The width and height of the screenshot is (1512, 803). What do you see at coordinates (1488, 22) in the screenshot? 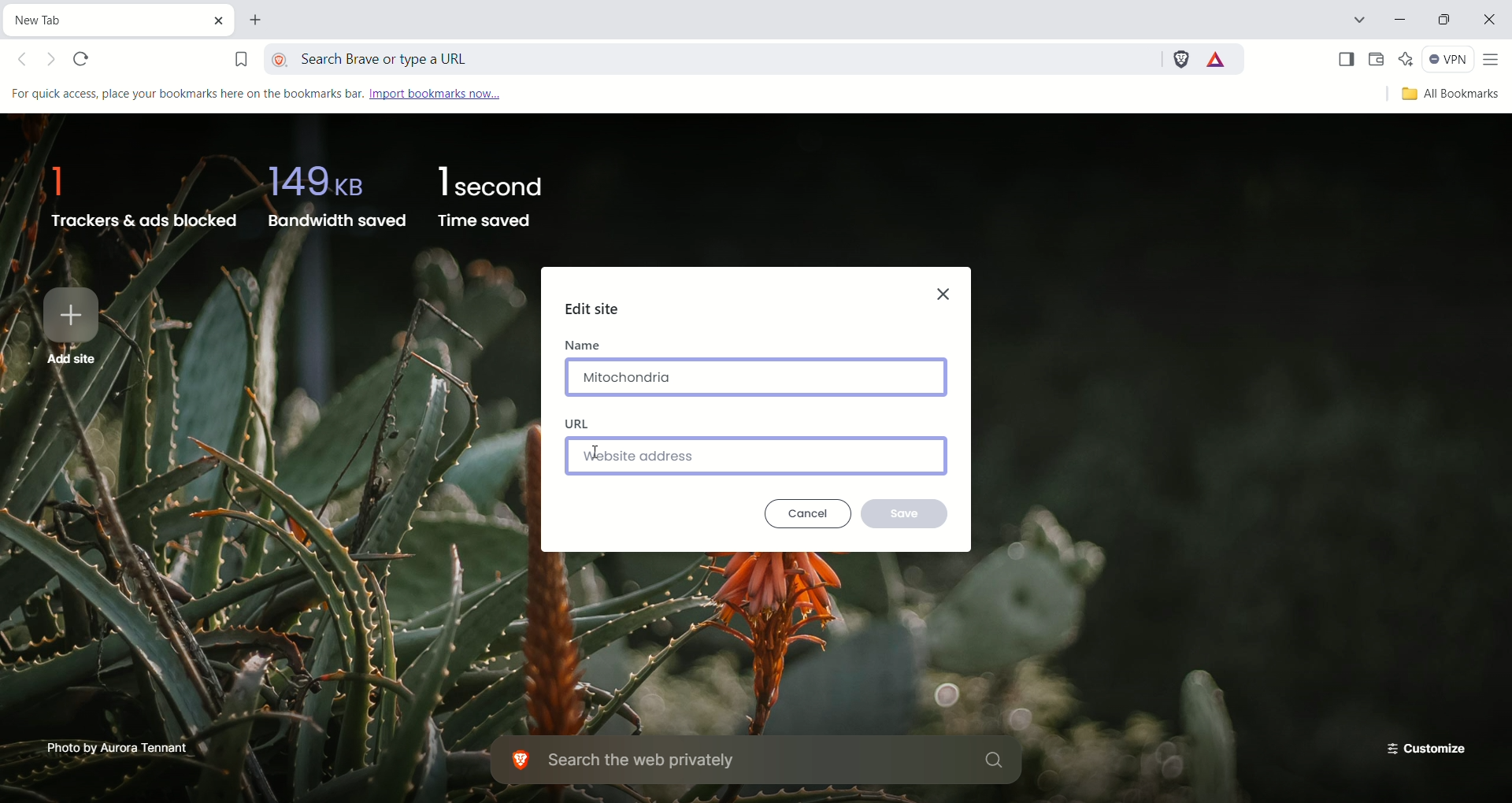
I see `close` at bounding box center [1488, 22].